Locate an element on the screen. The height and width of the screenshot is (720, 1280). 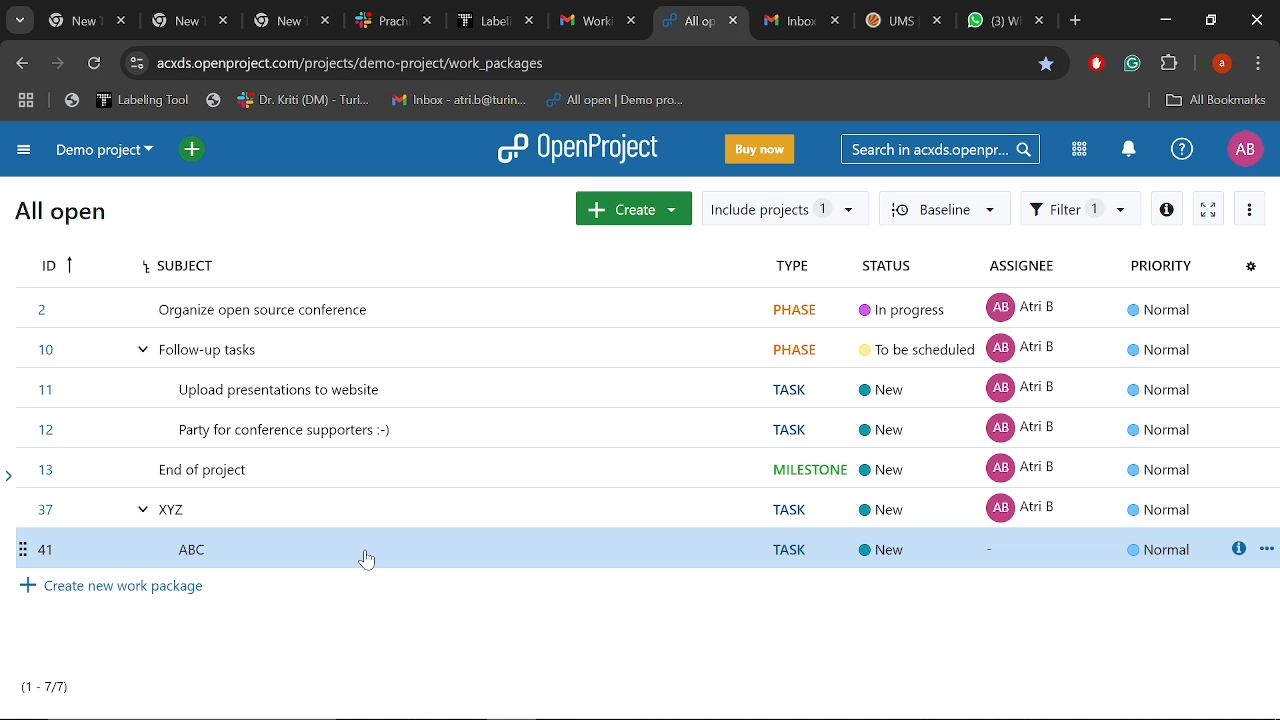
Open project logo is located at coordinates (576, 147).